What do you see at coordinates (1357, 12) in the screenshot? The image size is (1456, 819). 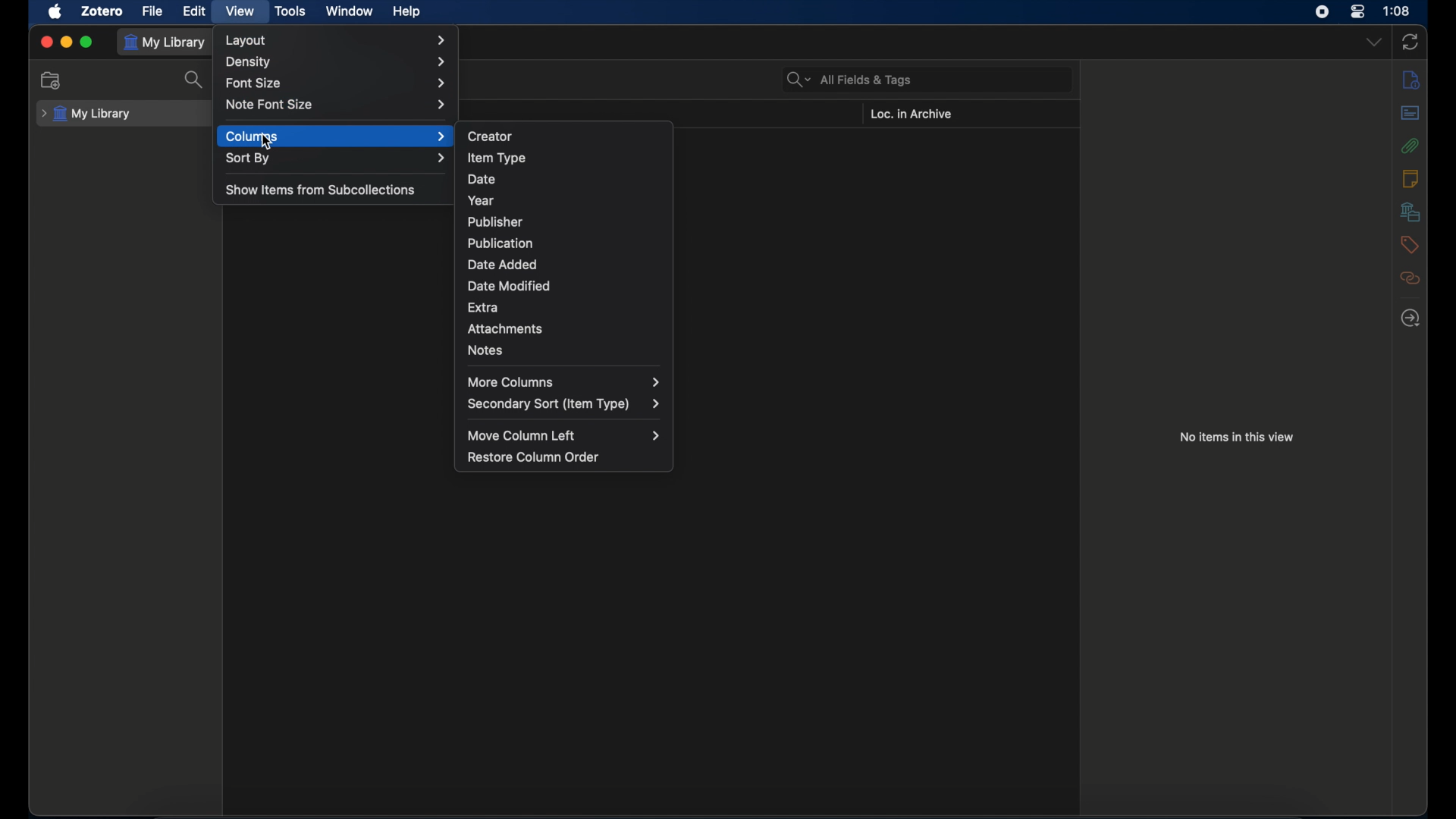 I see `control center` at bounding box center [1357, 12].